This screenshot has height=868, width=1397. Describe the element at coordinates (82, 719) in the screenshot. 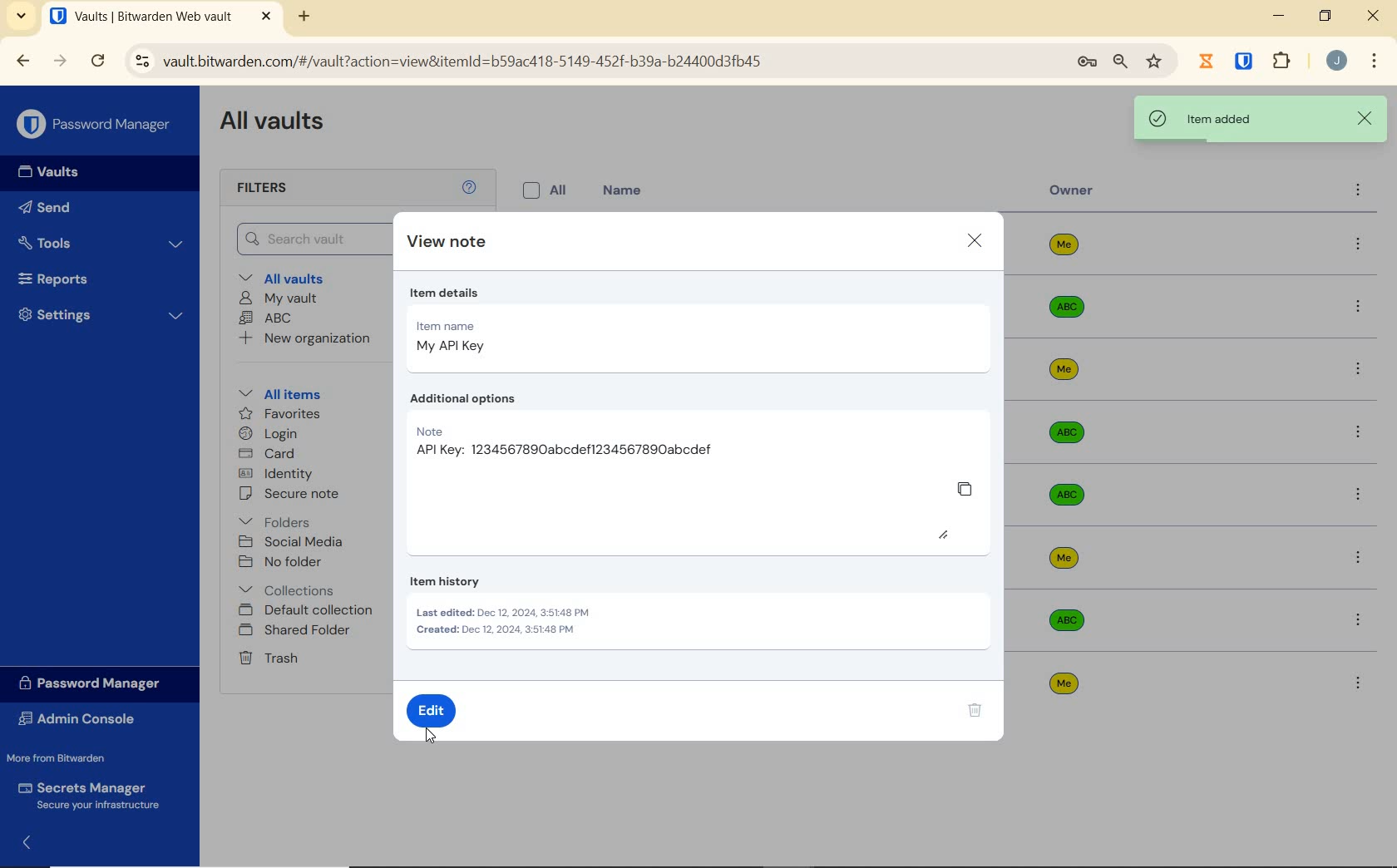

I see `Admin Console` at that location.